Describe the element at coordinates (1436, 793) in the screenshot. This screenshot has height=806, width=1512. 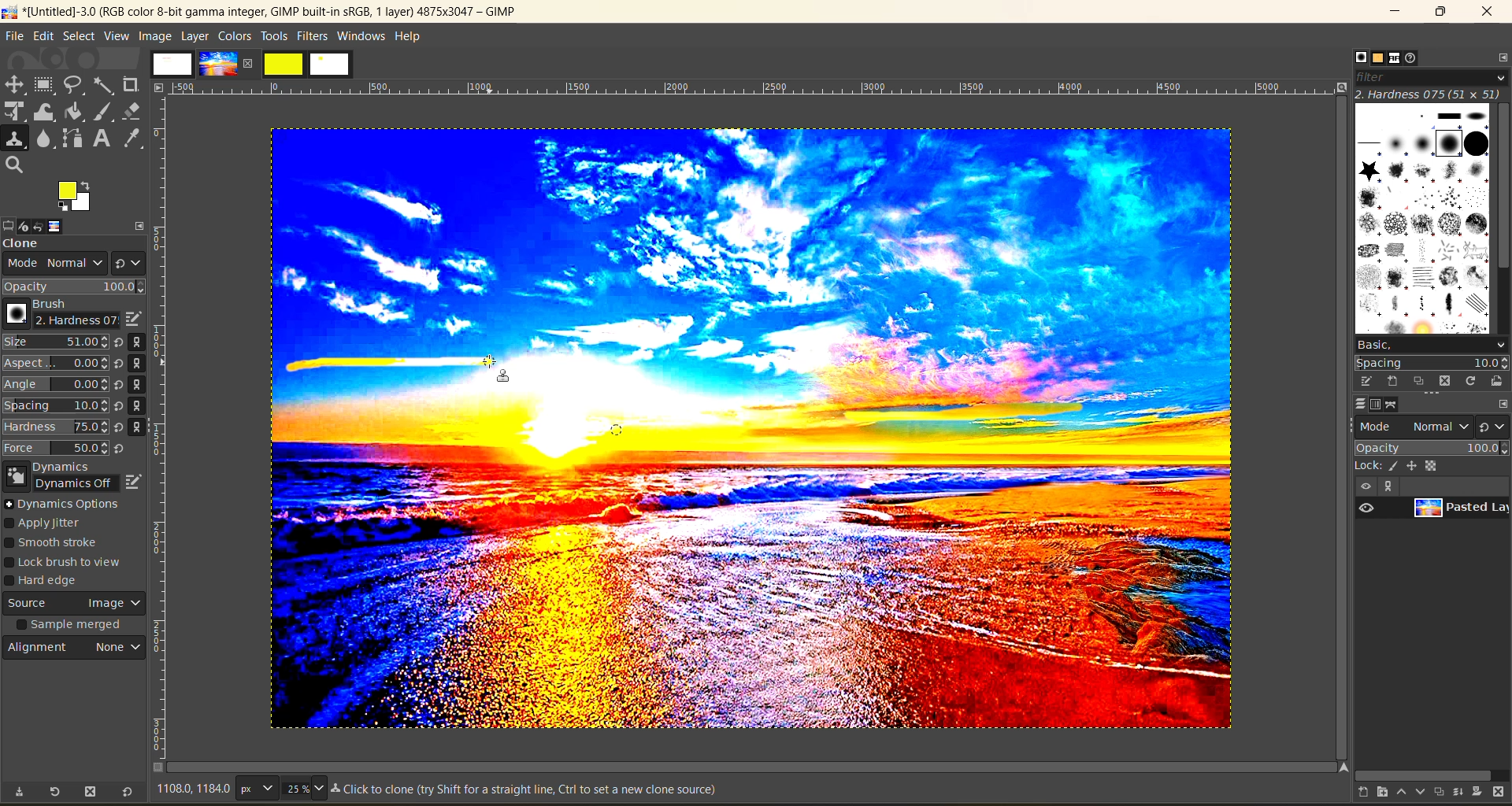
I see `create a layer` at that location.